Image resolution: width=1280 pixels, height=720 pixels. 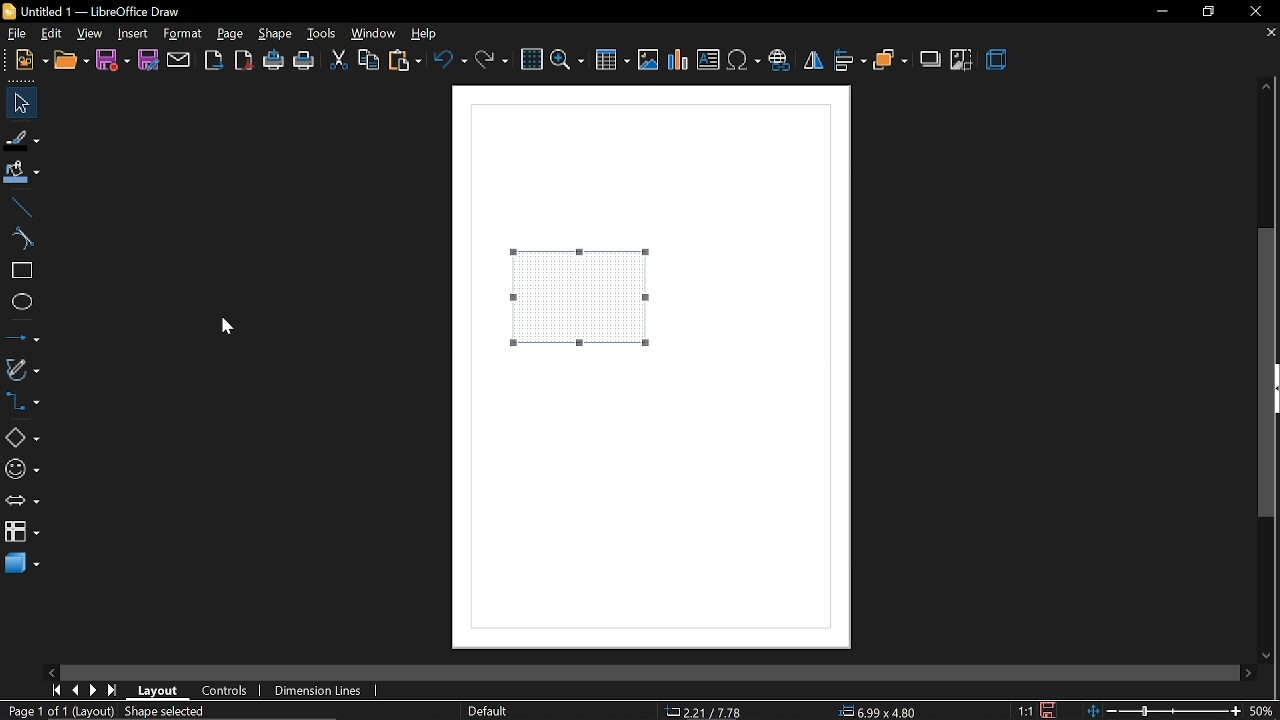 What do you see at coordinates (167, 711) in the screenshot?
I see `selection info` at bounding box center [167, 711].